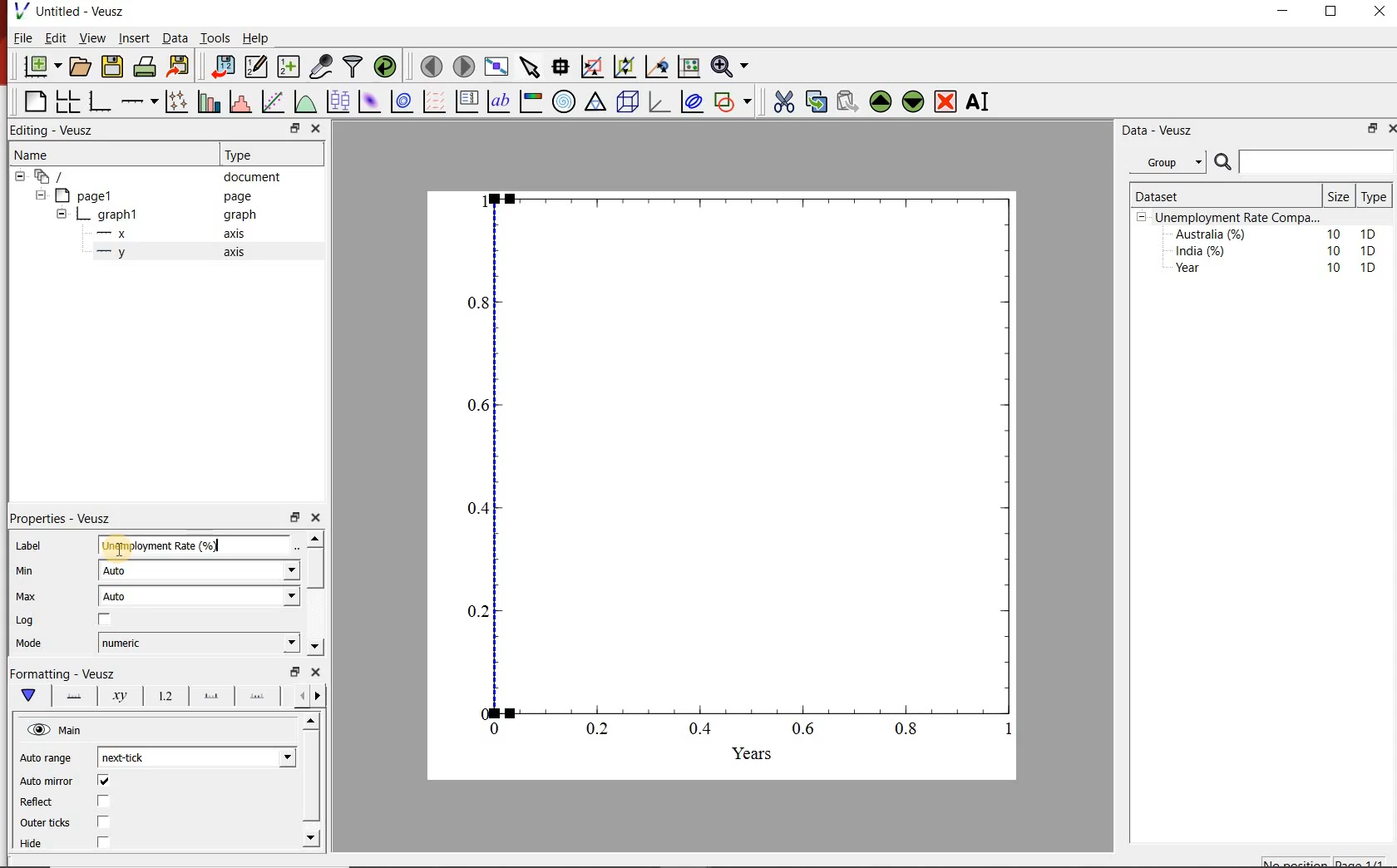 The height and width of the screenshot is (868, 1397). I want to click on plot 2d datasets as contours, so click(401, 101).